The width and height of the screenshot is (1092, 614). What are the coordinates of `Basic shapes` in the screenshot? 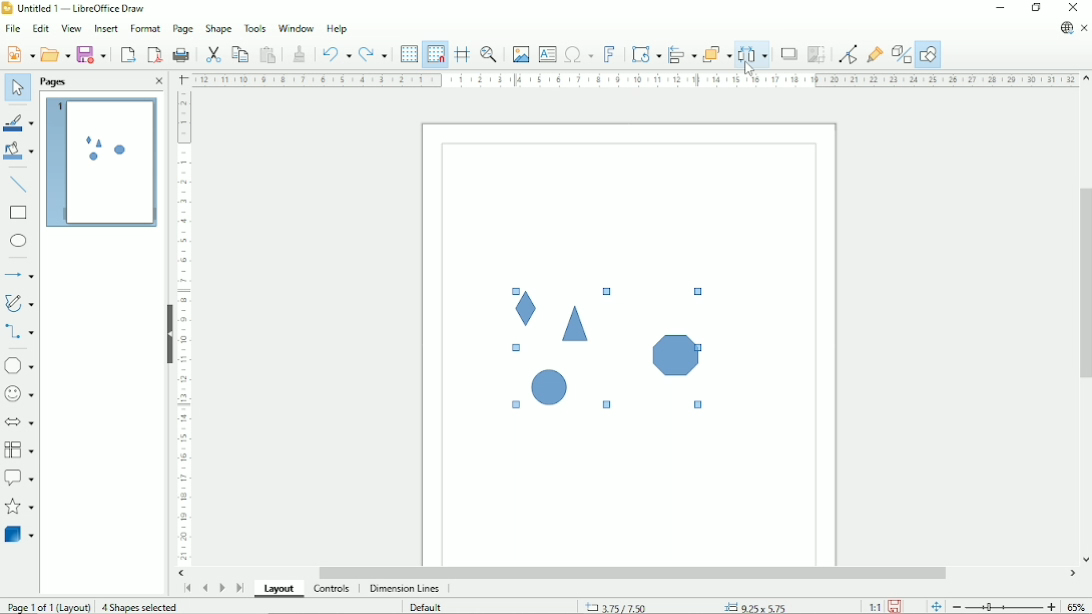 It's located at (22, 365).